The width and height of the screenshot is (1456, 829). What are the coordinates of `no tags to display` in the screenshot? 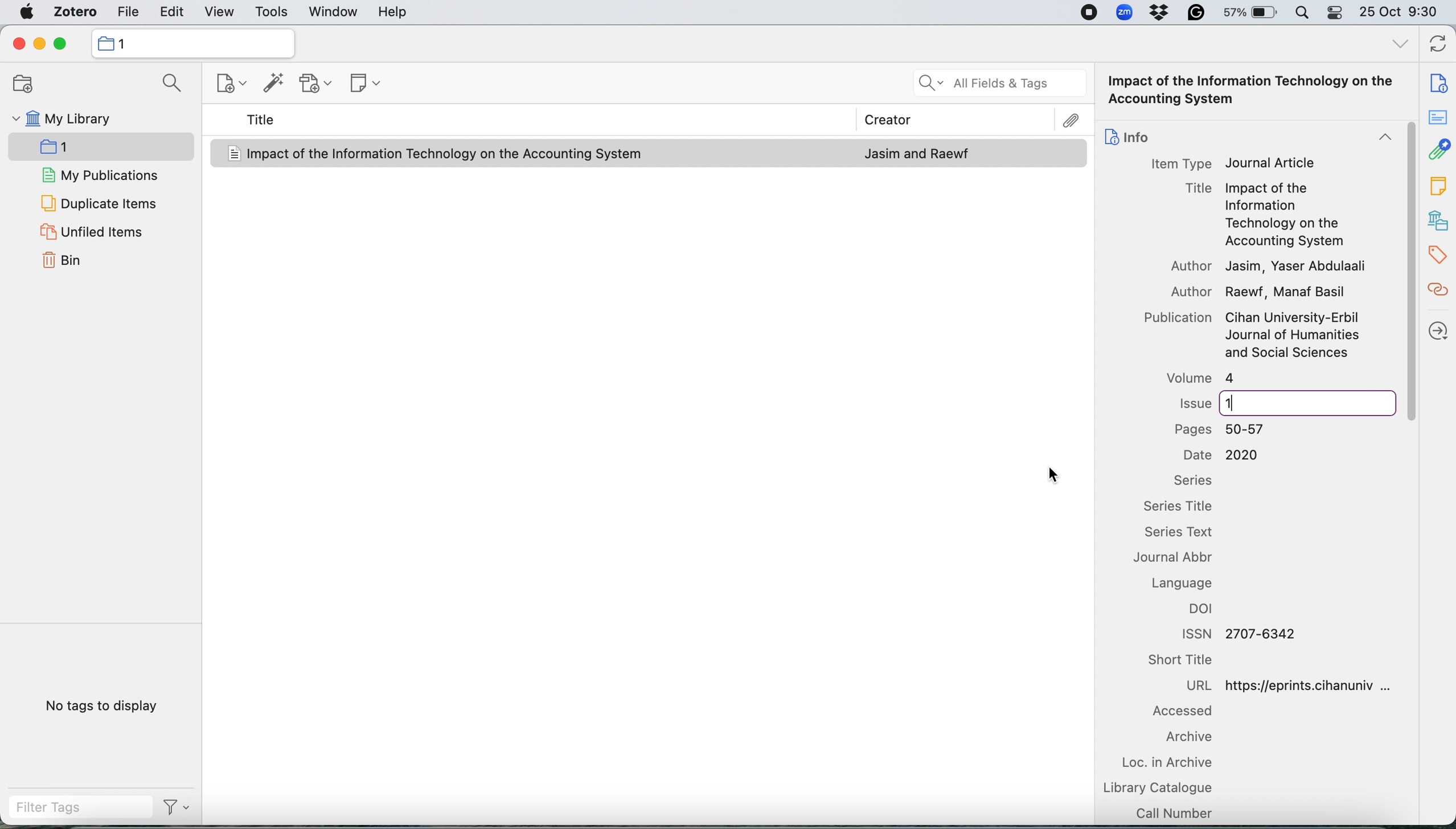 It's located at (99, 706).